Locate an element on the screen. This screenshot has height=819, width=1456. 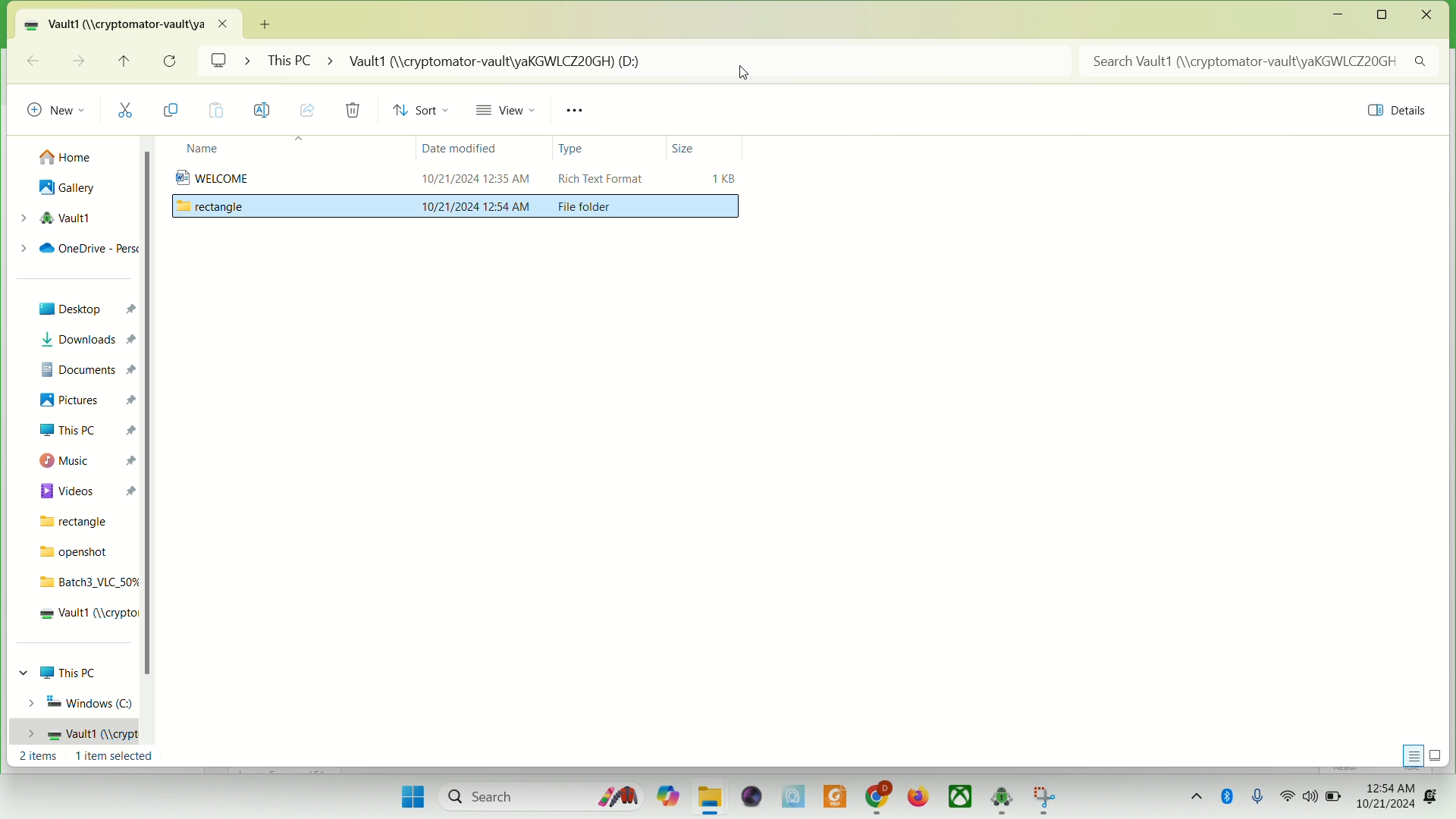
Rectangle file  10/21/2024 12:54AM File folder is located at coordinates (456, 211).